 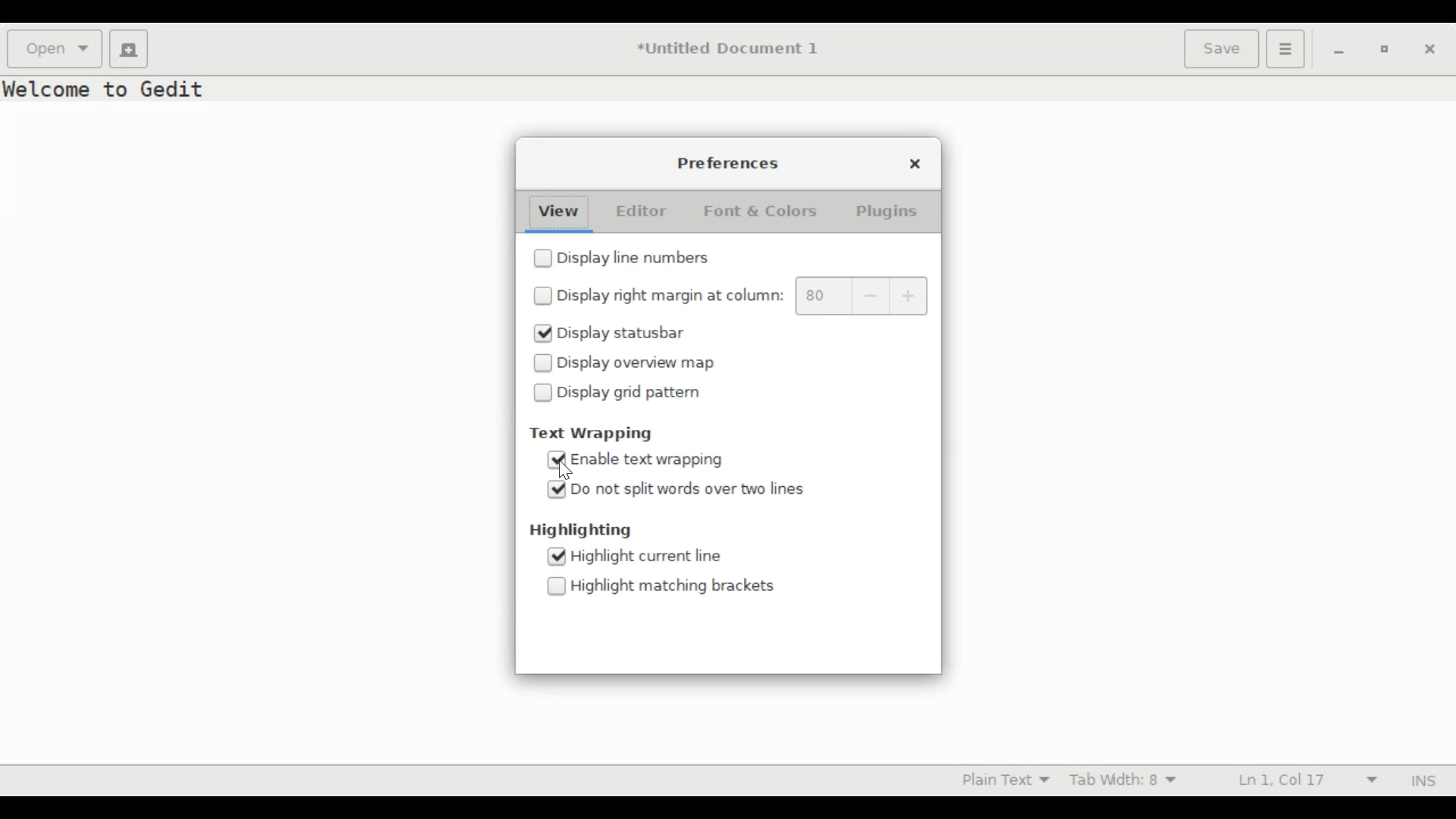 I want to click on Open, so click(x=55, y=48).